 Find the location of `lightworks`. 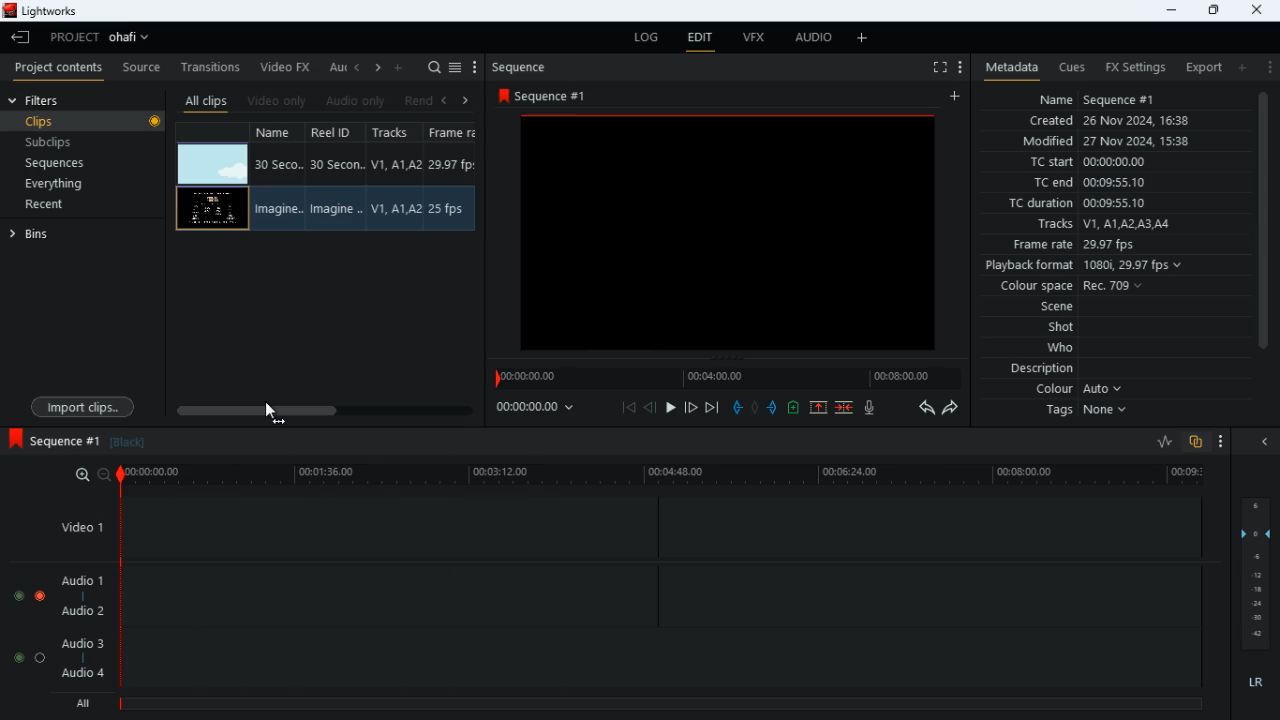

lightworks is located at coordinates (41, 10).